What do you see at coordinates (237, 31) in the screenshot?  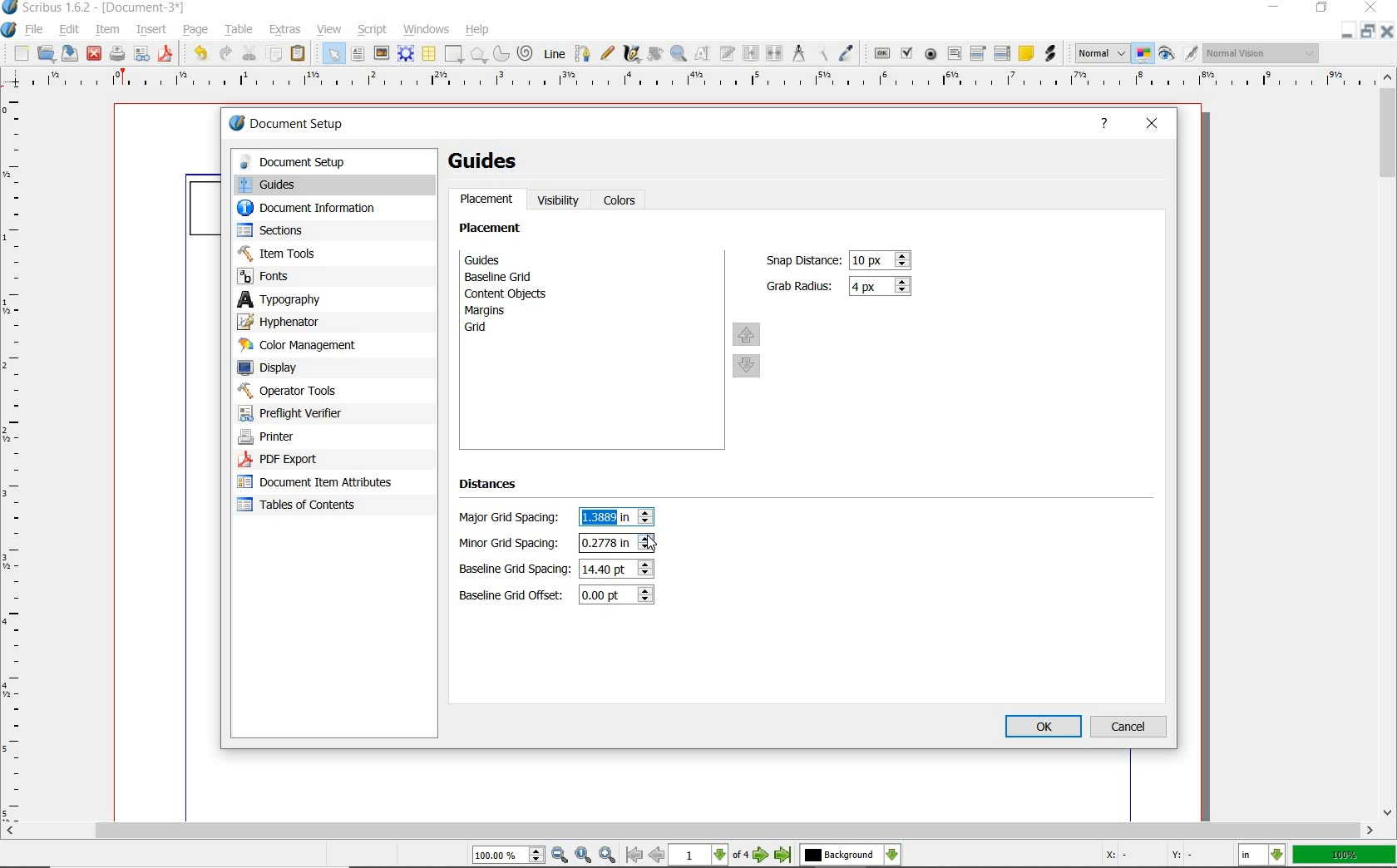 I see `table` at bounding box center [237, 31].